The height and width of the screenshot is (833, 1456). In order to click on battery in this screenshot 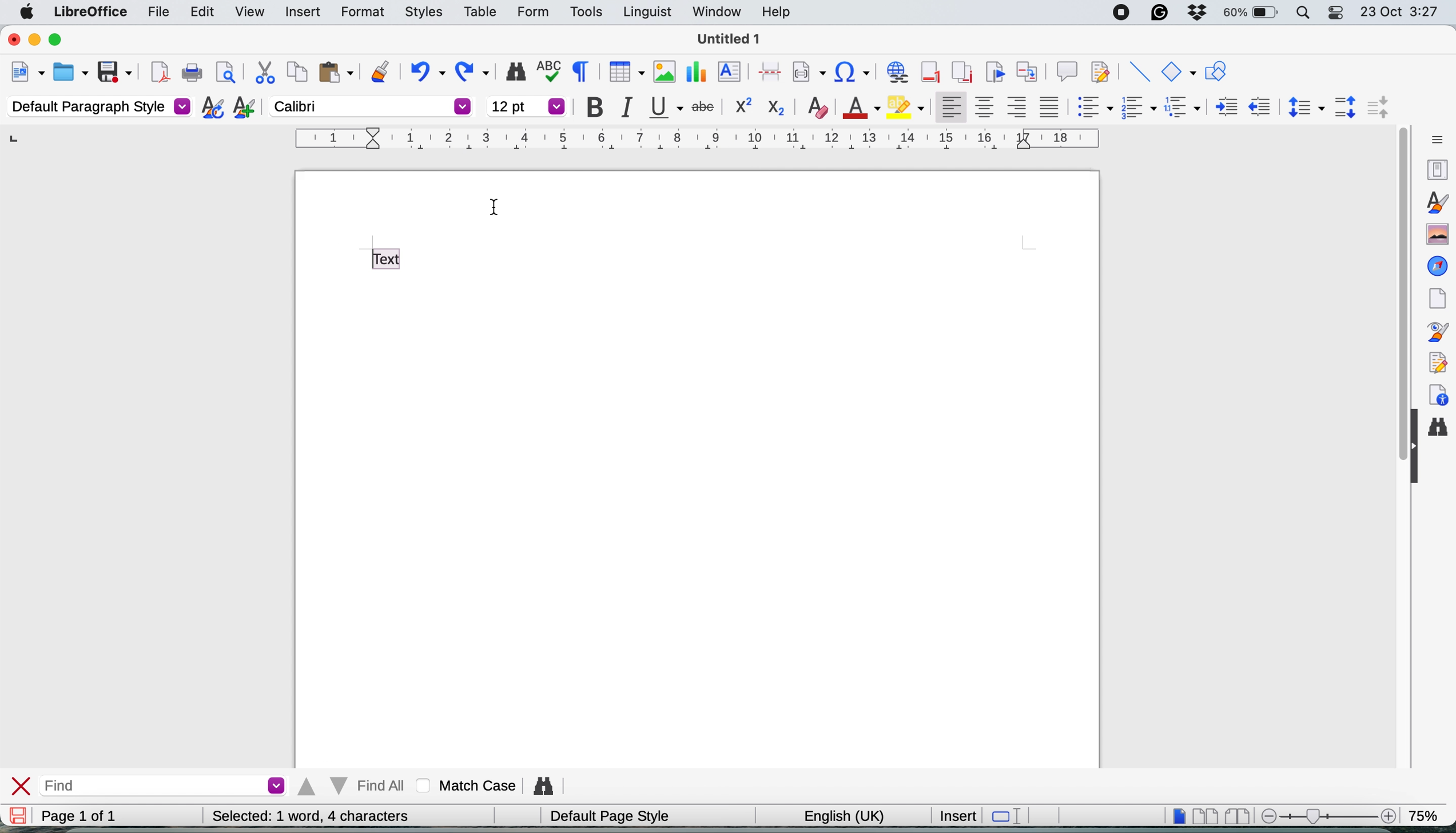, I will do `click(1250, 14)`.